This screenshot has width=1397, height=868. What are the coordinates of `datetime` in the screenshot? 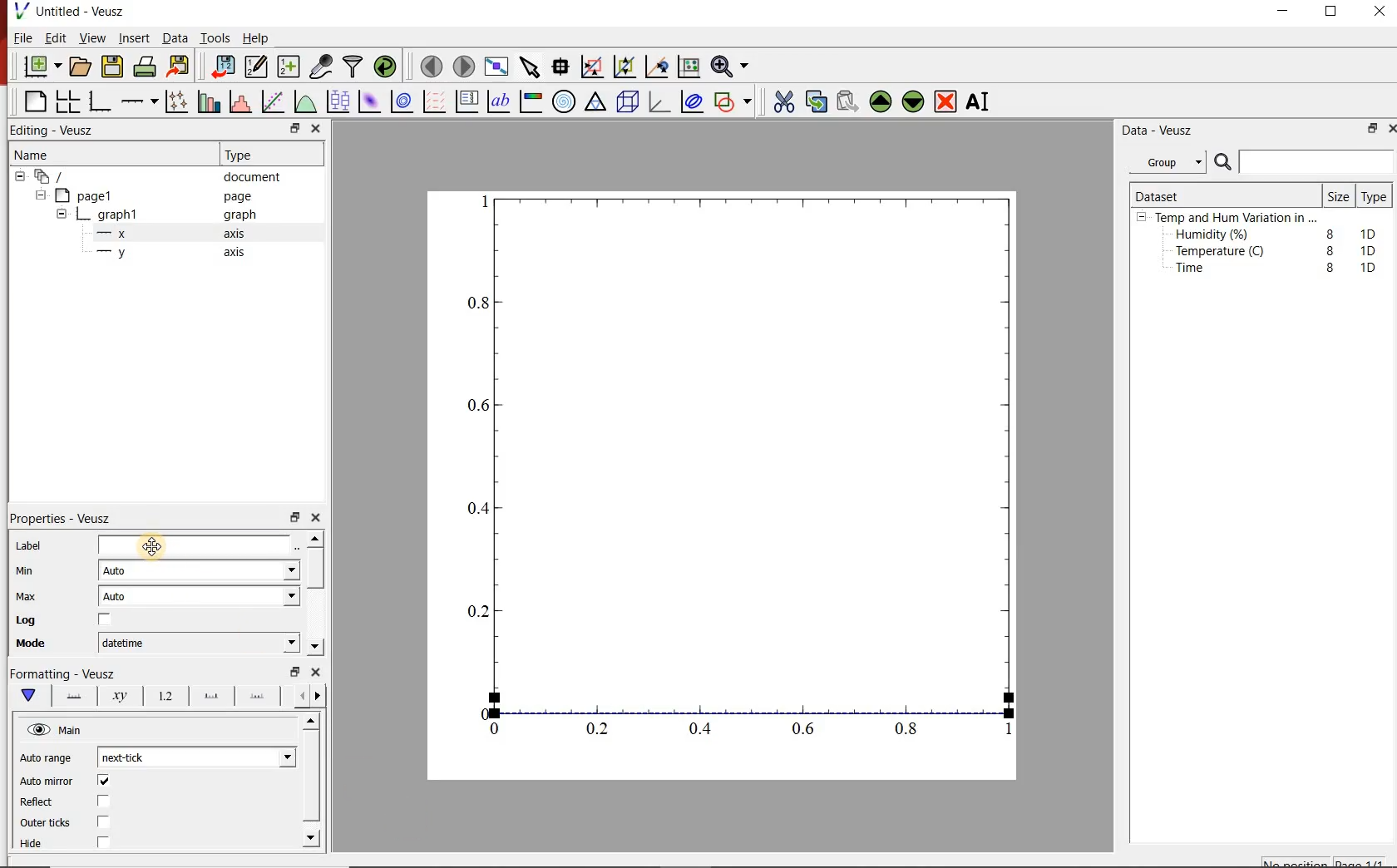 It's located at (127, 643).